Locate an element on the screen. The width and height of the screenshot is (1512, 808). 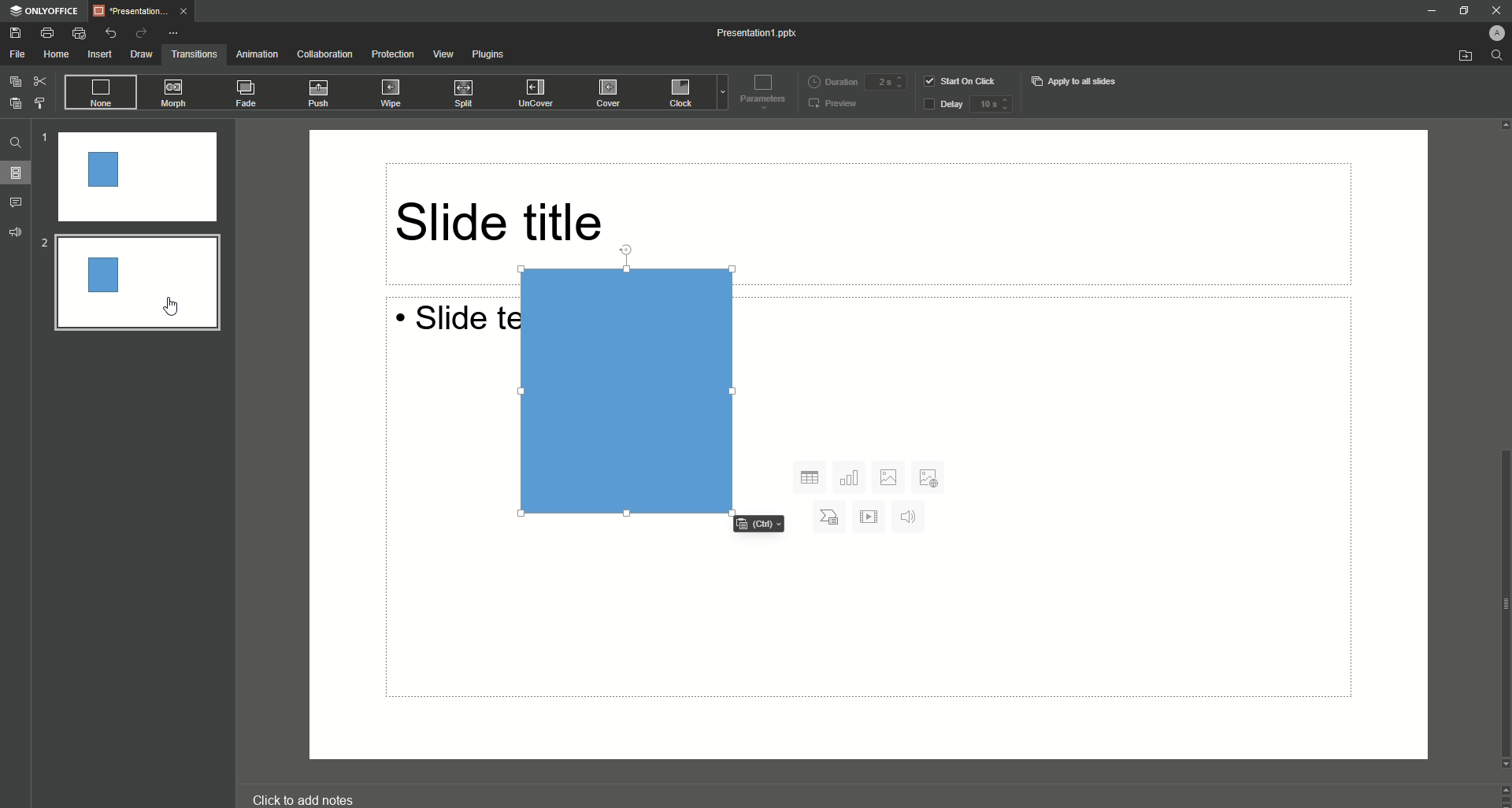
Transitions is located at coordinates (194, 54).